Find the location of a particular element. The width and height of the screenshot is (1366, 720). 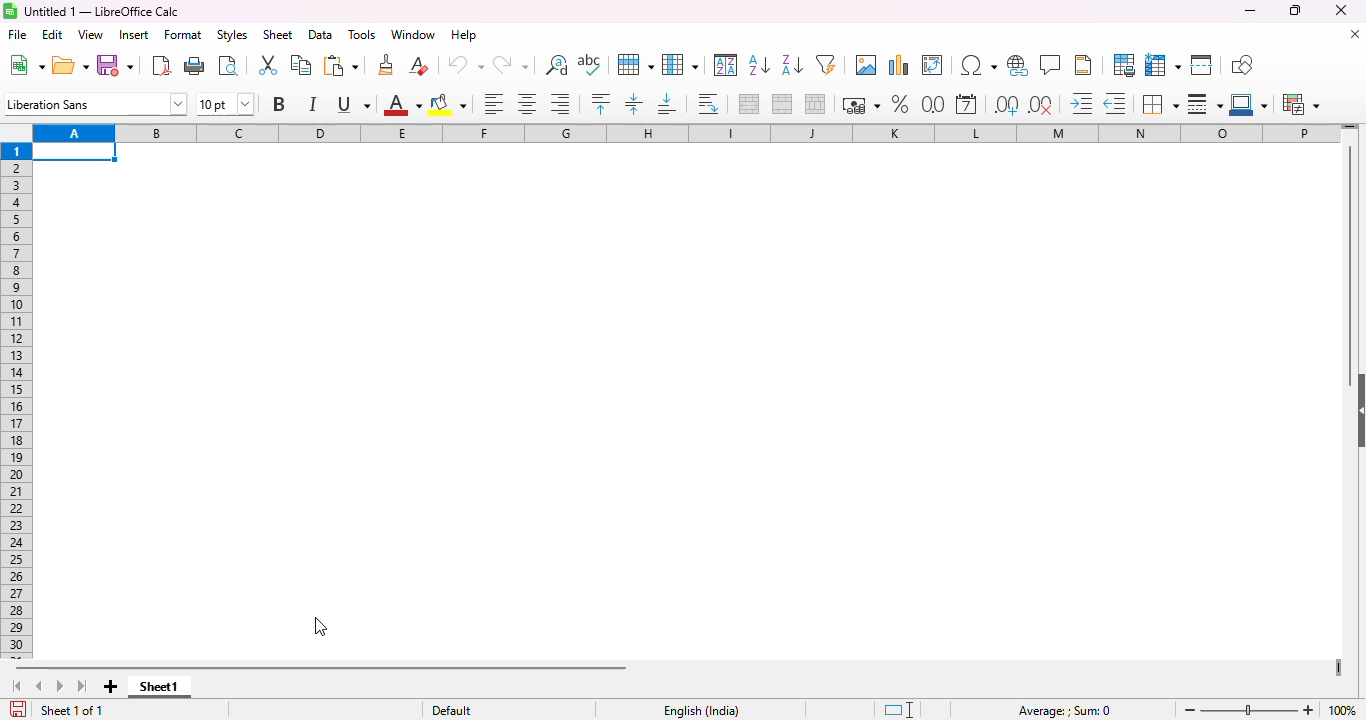

add new sheet is located at coordinates (111, 687).